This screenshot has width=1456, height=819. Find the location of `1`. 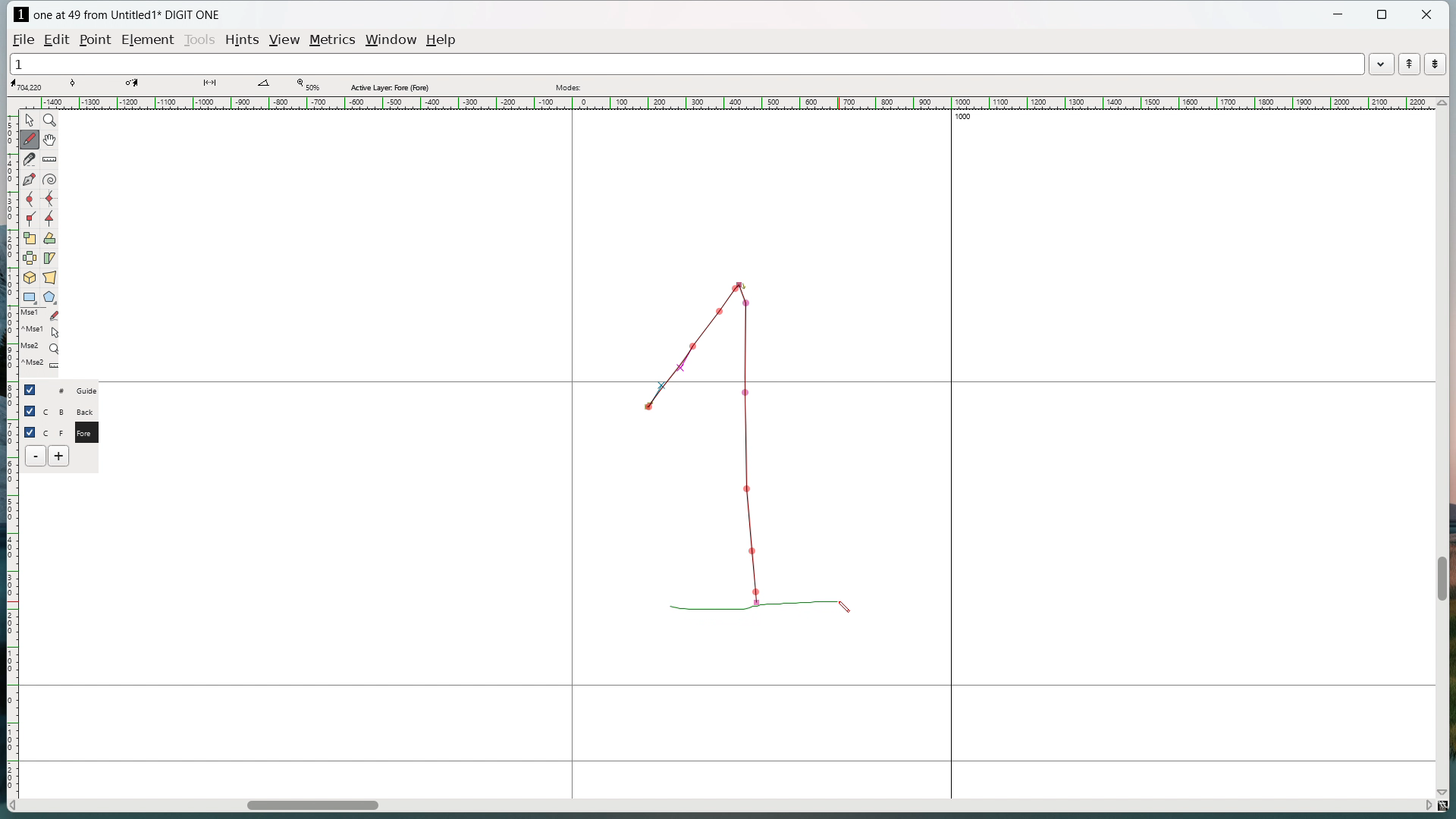

1 is located at coordinates (686, 63).